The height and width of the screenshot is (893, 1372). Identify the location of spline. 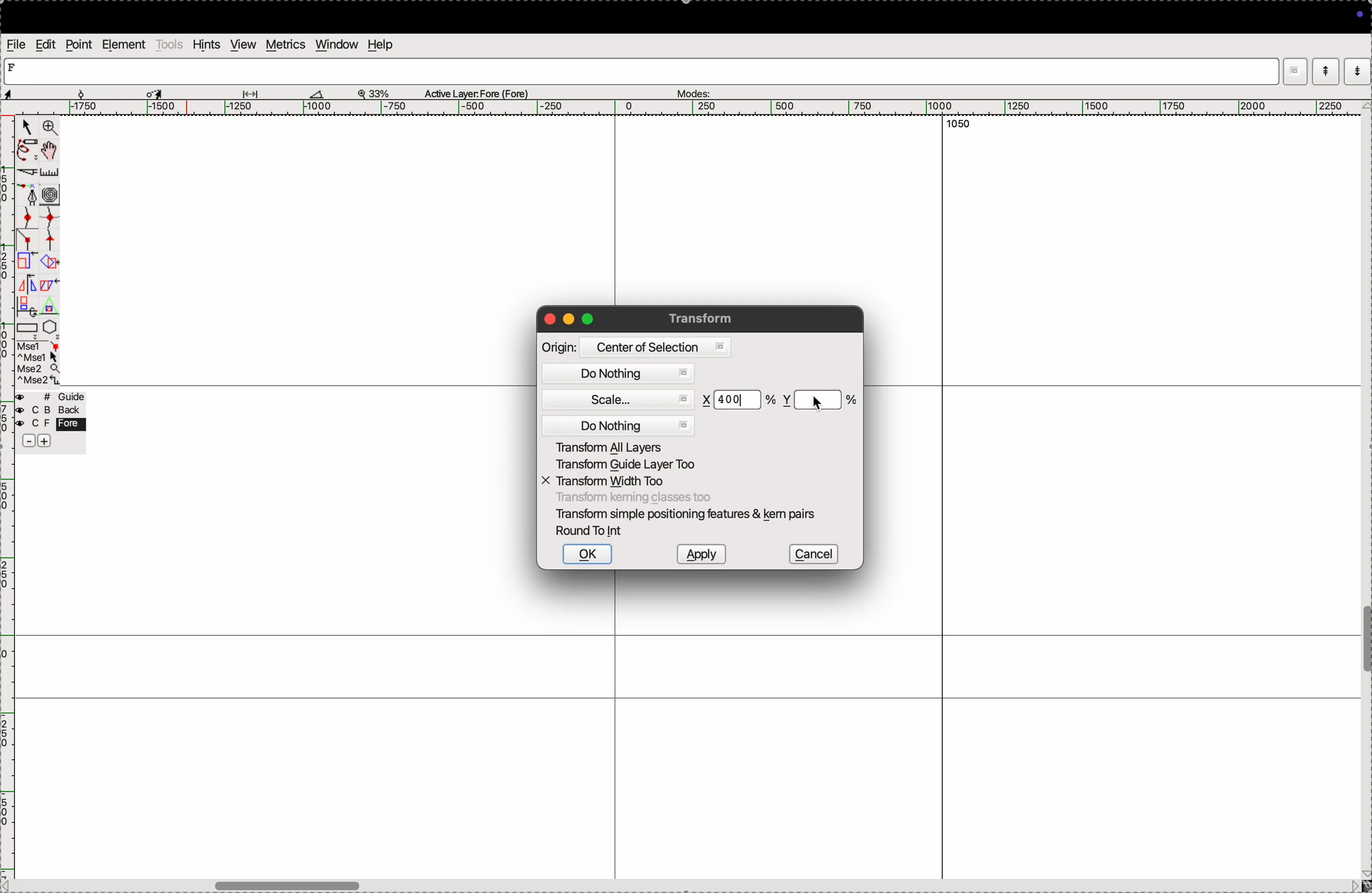
(49, 230).